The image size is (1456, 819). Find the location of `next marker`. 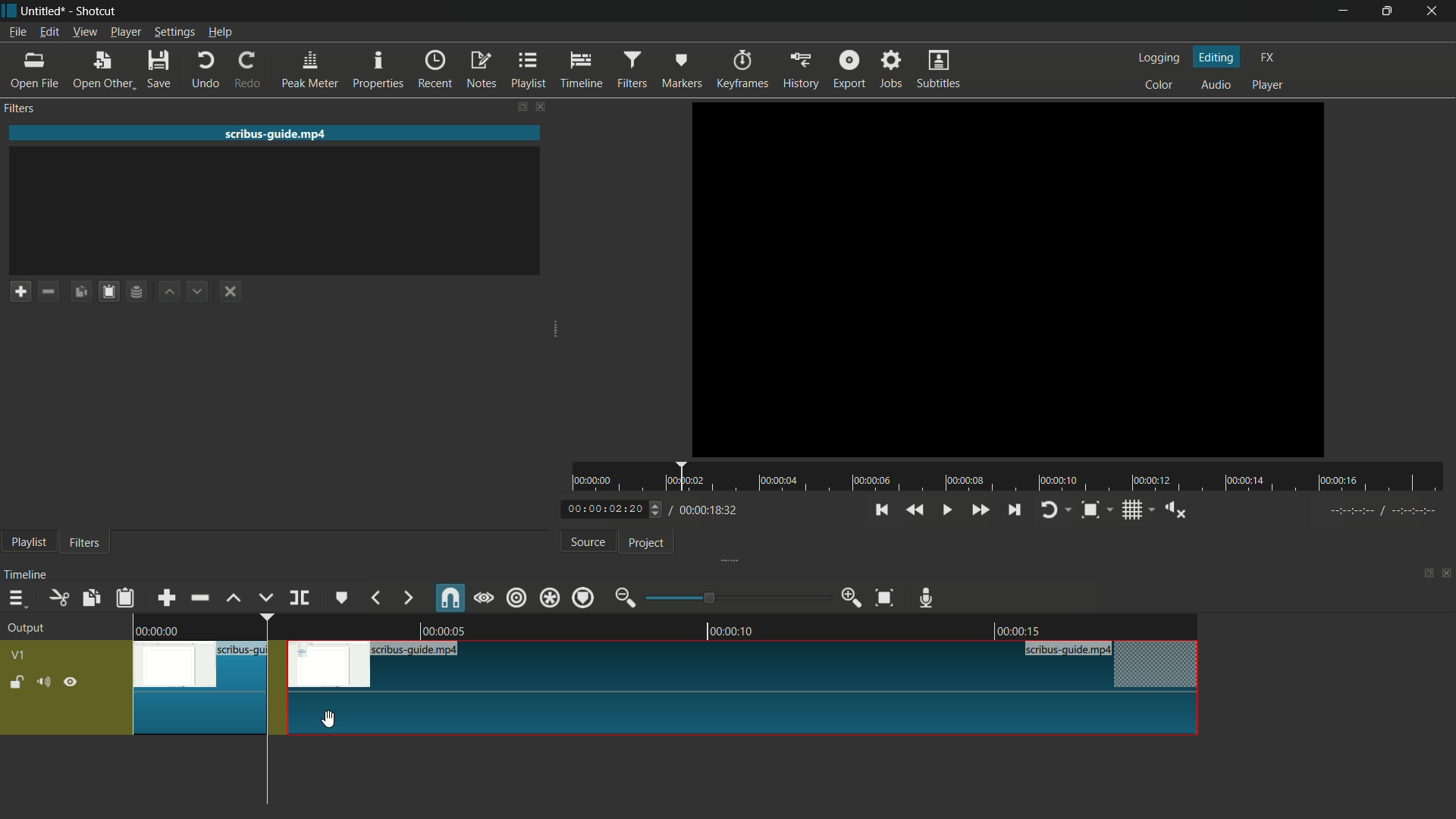

next marker is located at coordinates (409, 598).